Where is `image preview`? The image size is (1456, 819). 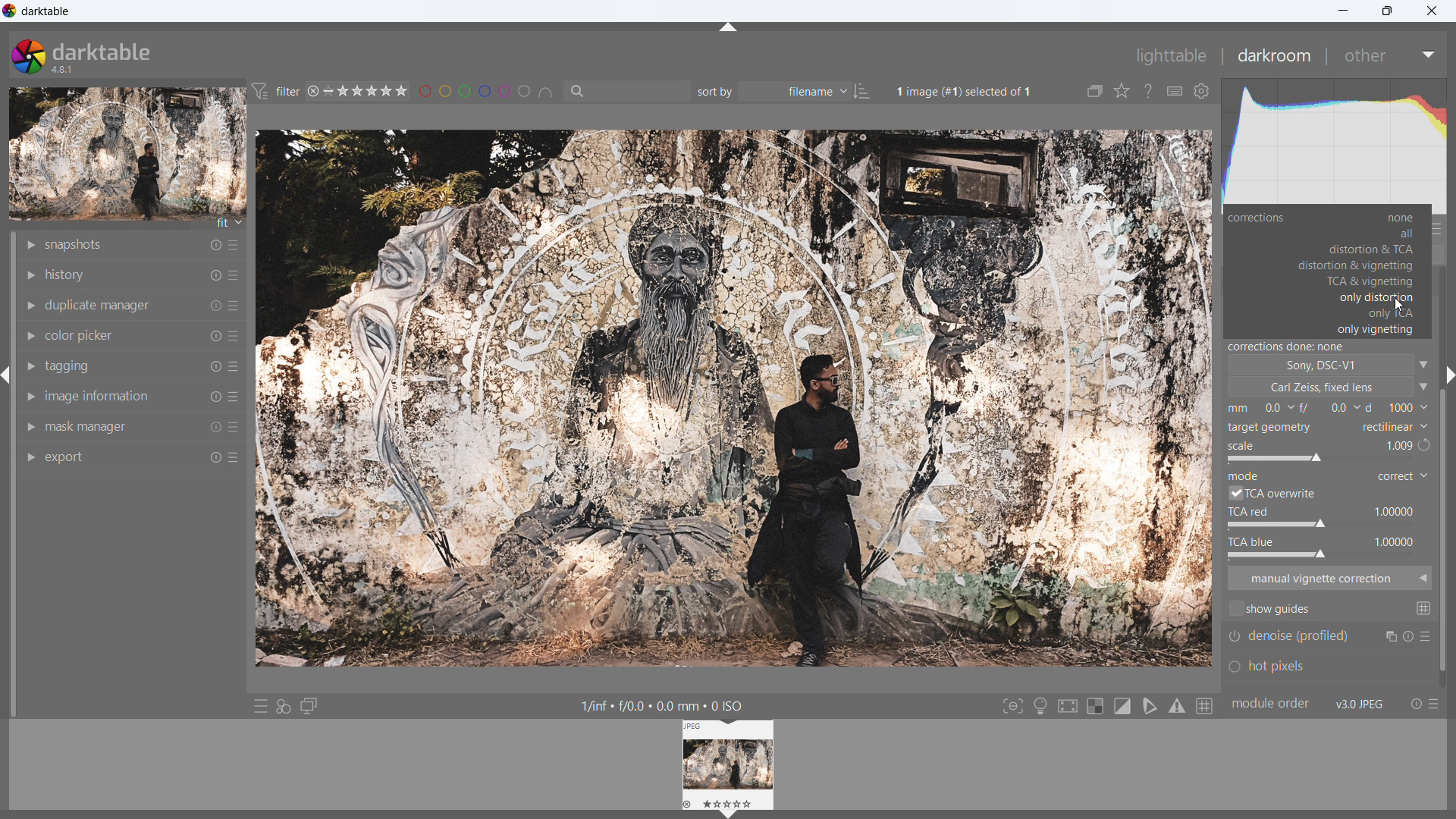 image preview is located at coordinates (127, 151).